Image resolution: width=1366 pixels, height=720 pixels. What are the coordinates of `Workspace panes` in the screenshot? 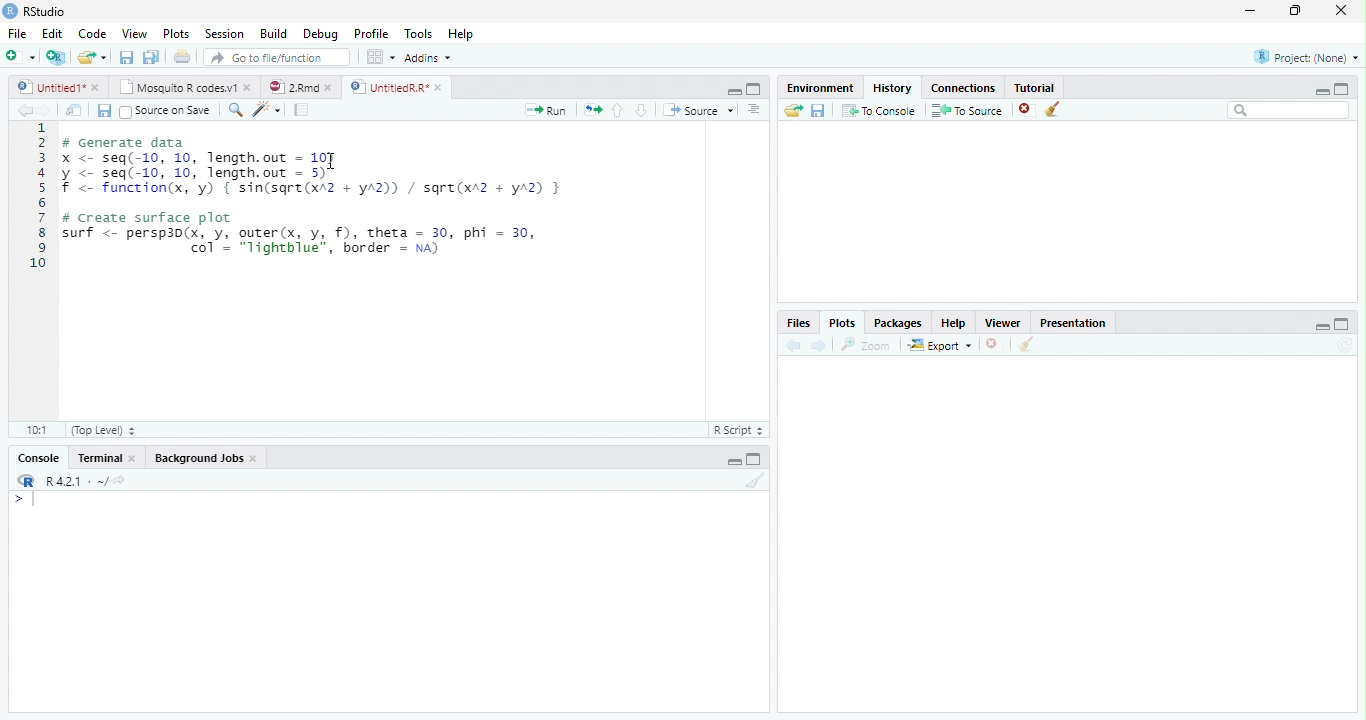 It's located at (379, 56).